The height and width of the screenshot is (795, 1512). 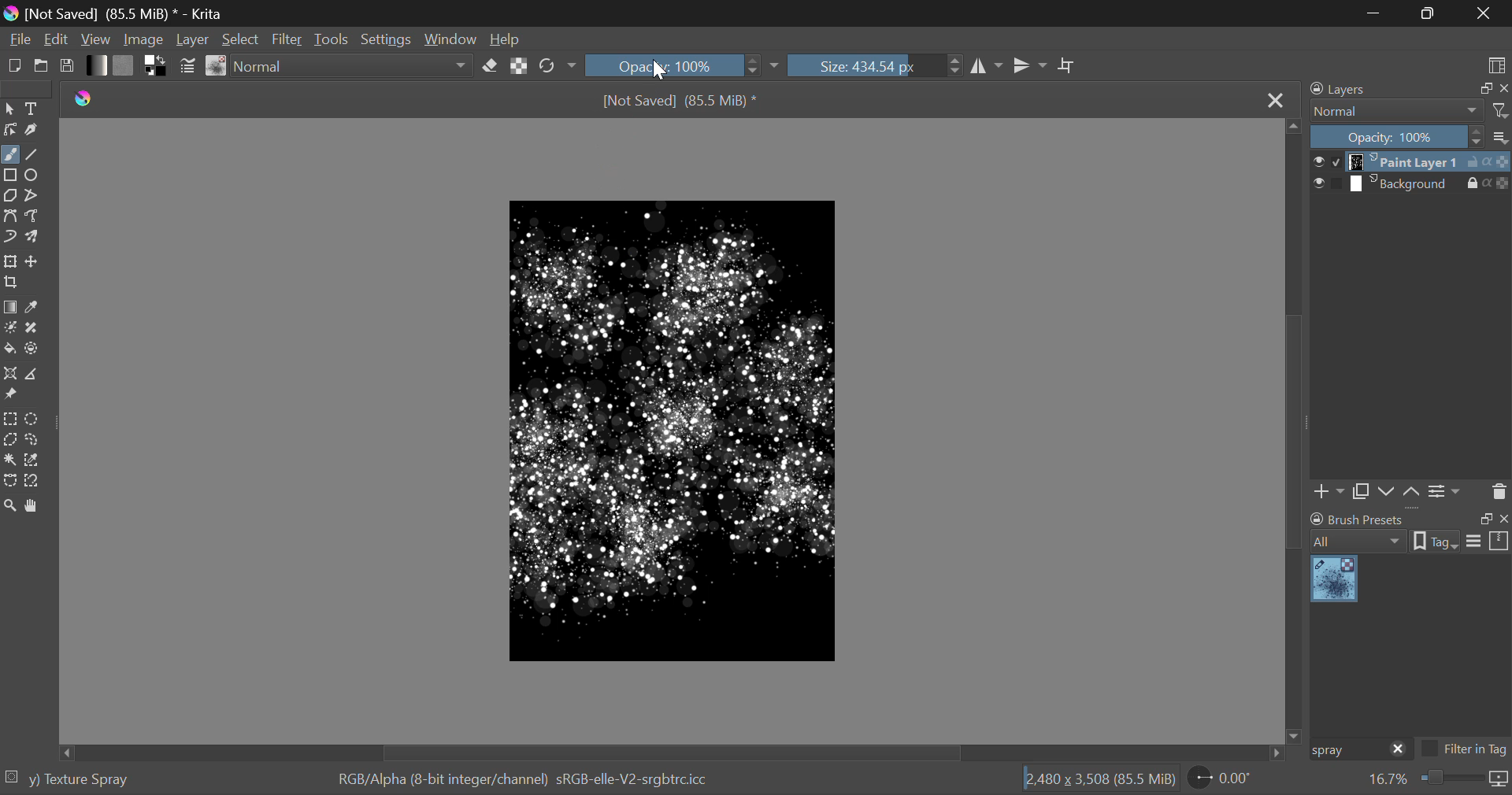 I want to click on Window, so click(x=453, y=38).